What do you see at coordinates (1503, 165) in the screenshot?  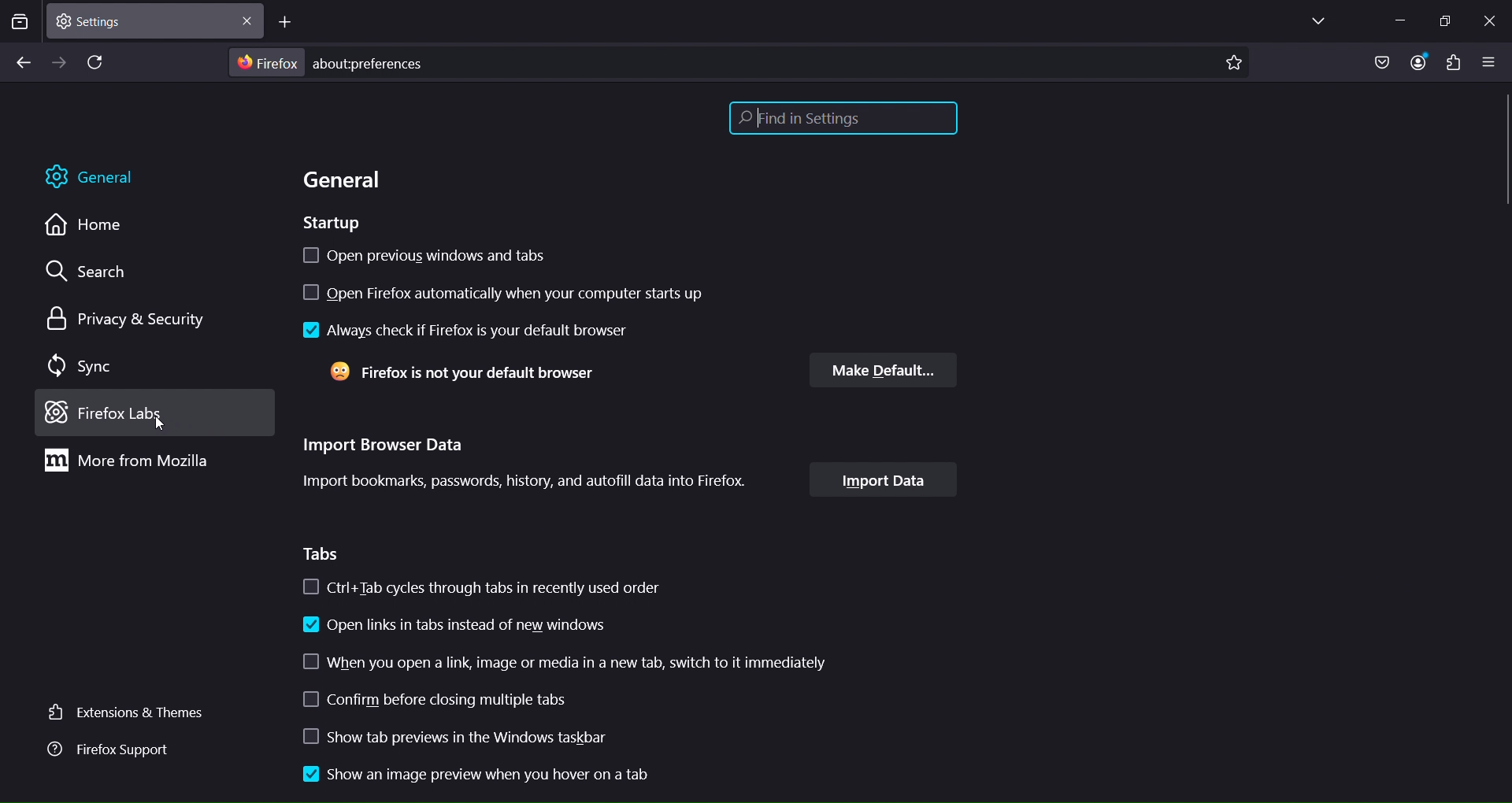 I see `scrollbar` at bounding box center [1503, 165].